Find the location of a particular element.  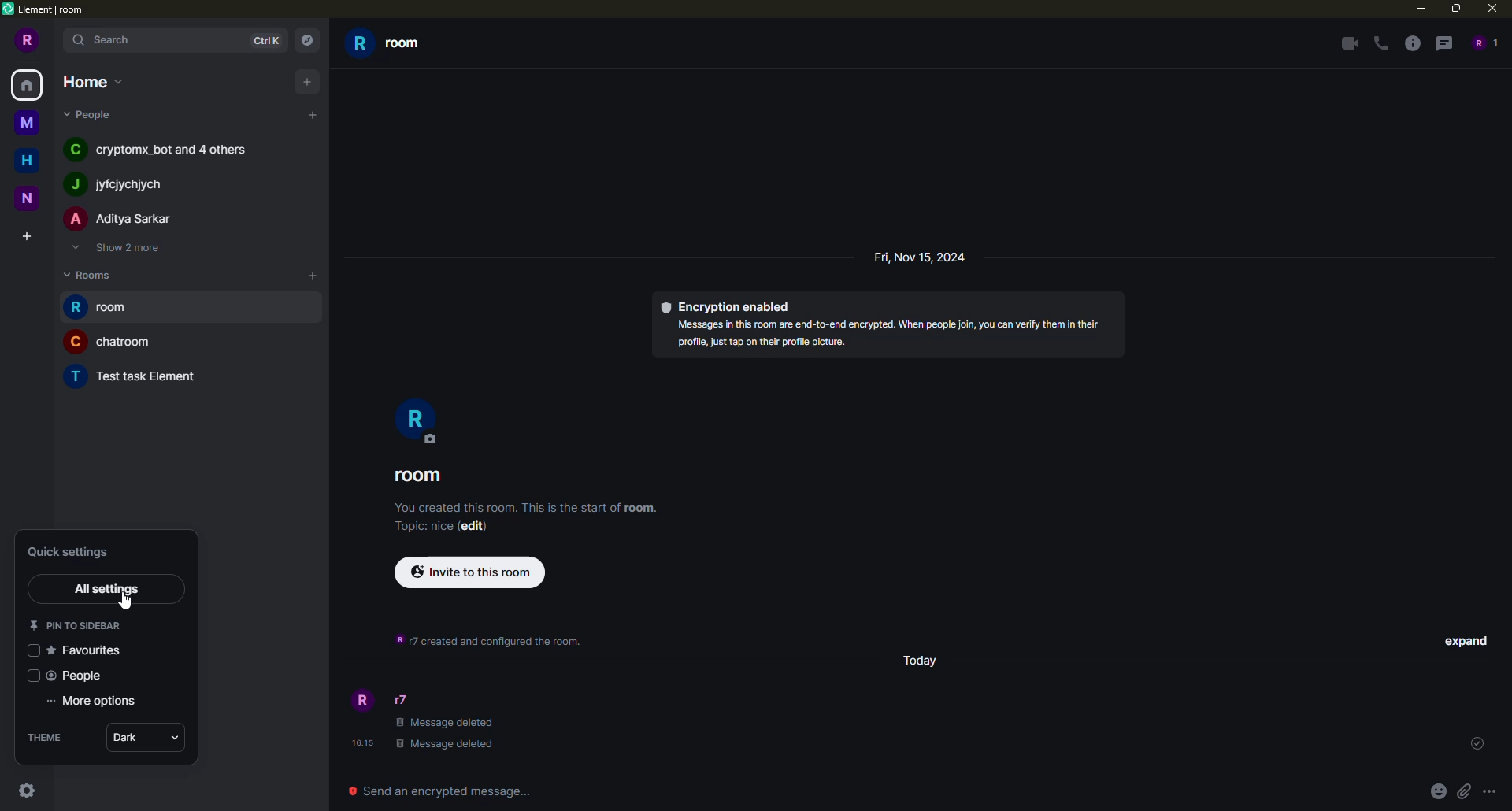

drop down is located at coordinates (182, 737).